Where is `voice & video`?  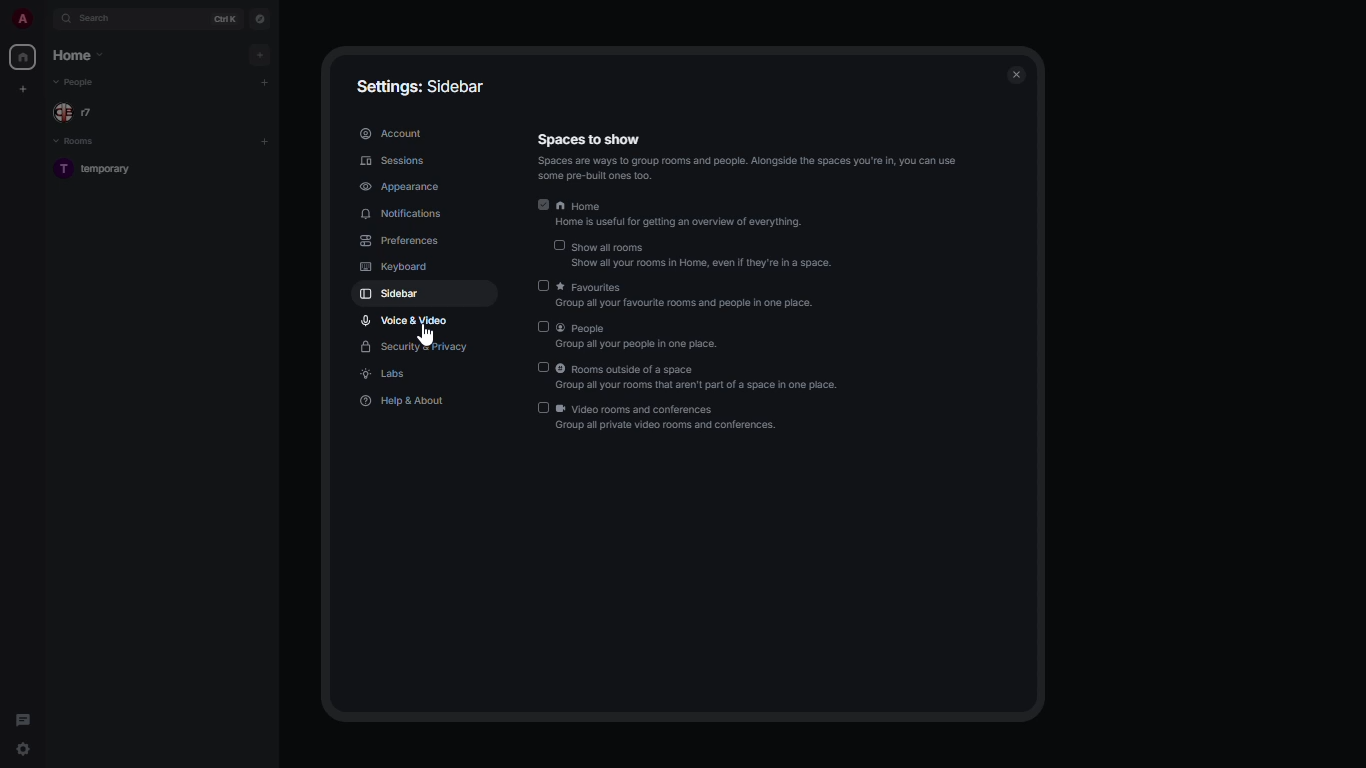
voice & video is located at coordinates (405, 320).